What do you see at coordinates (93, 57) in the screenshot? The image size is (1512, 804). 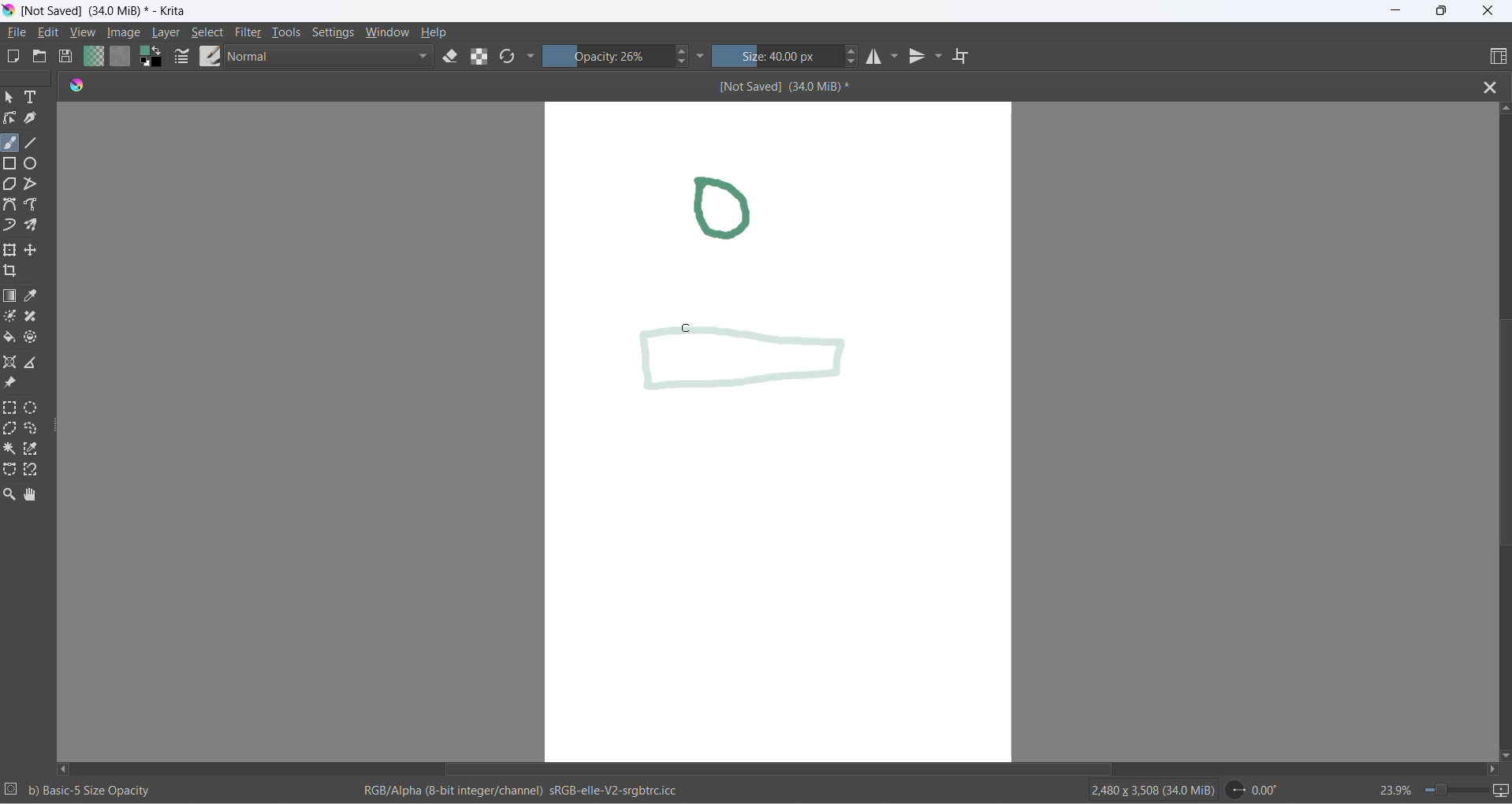 I see `fill gradients` at bounding box center [93, 57].